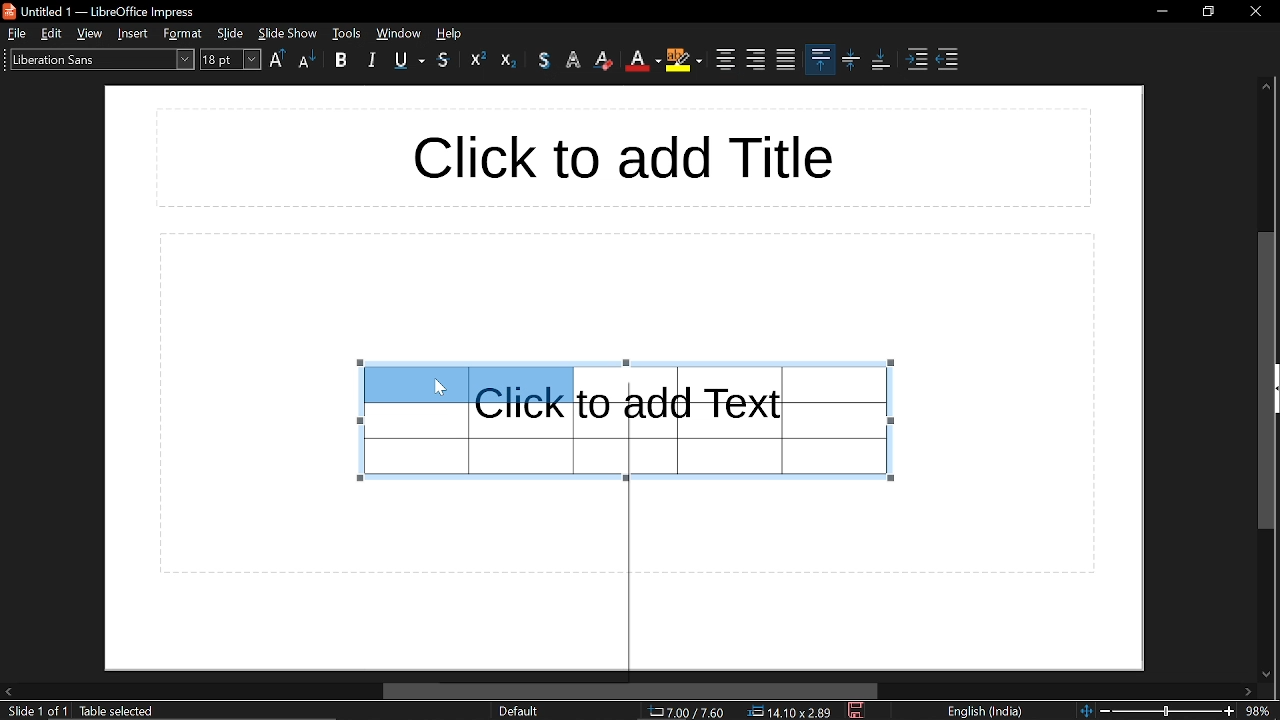 The image size is (1280, 720). Describe the element at coordinates (786, 60) in the screenshot. I see `justified` at that location.